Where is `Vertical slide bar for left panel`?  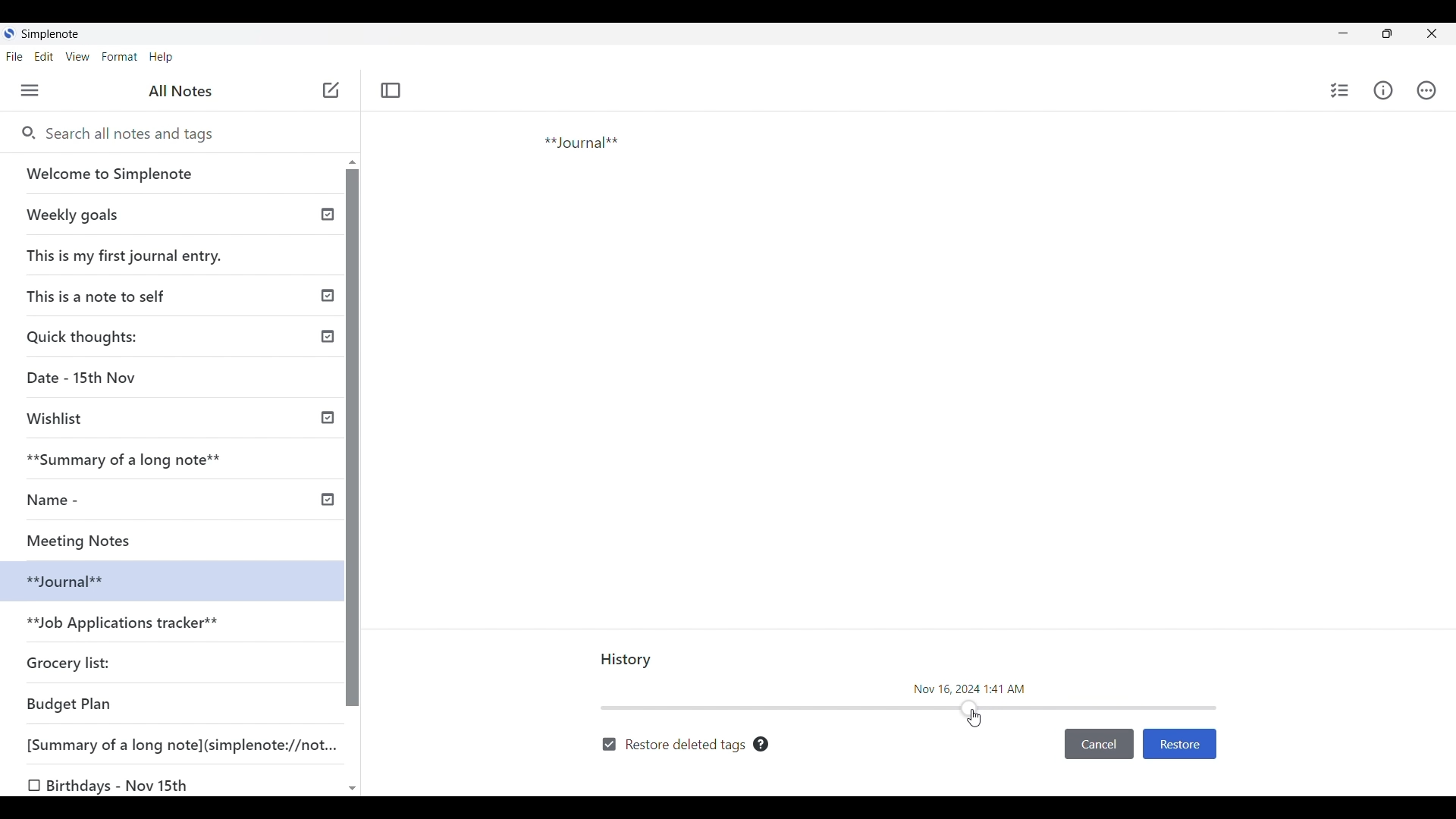
Vertical slide bar for left panel is located at coordinates (353, 438).